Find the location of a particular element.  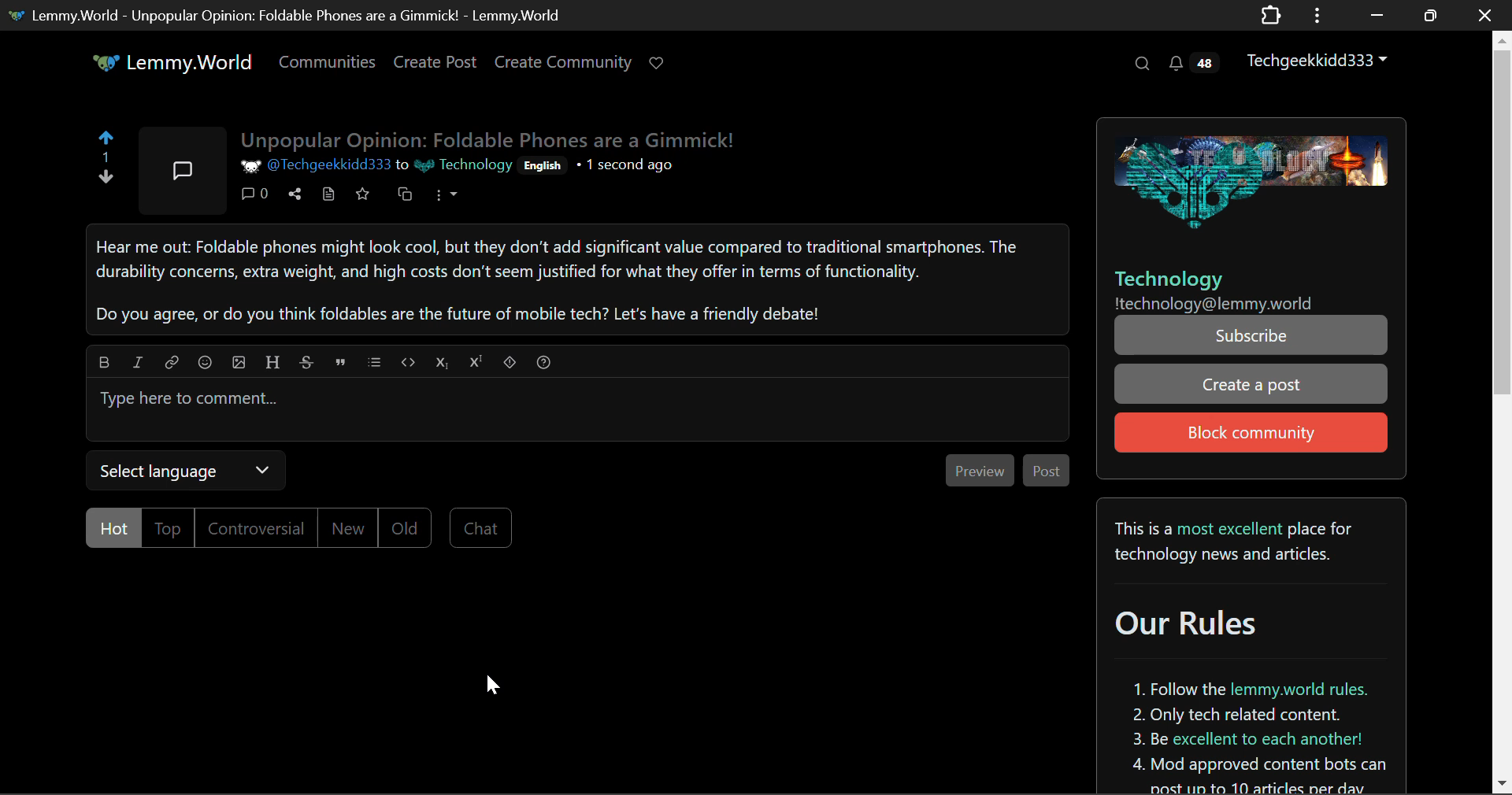

Donate to Lemmy is located at coordinates (658, 64).